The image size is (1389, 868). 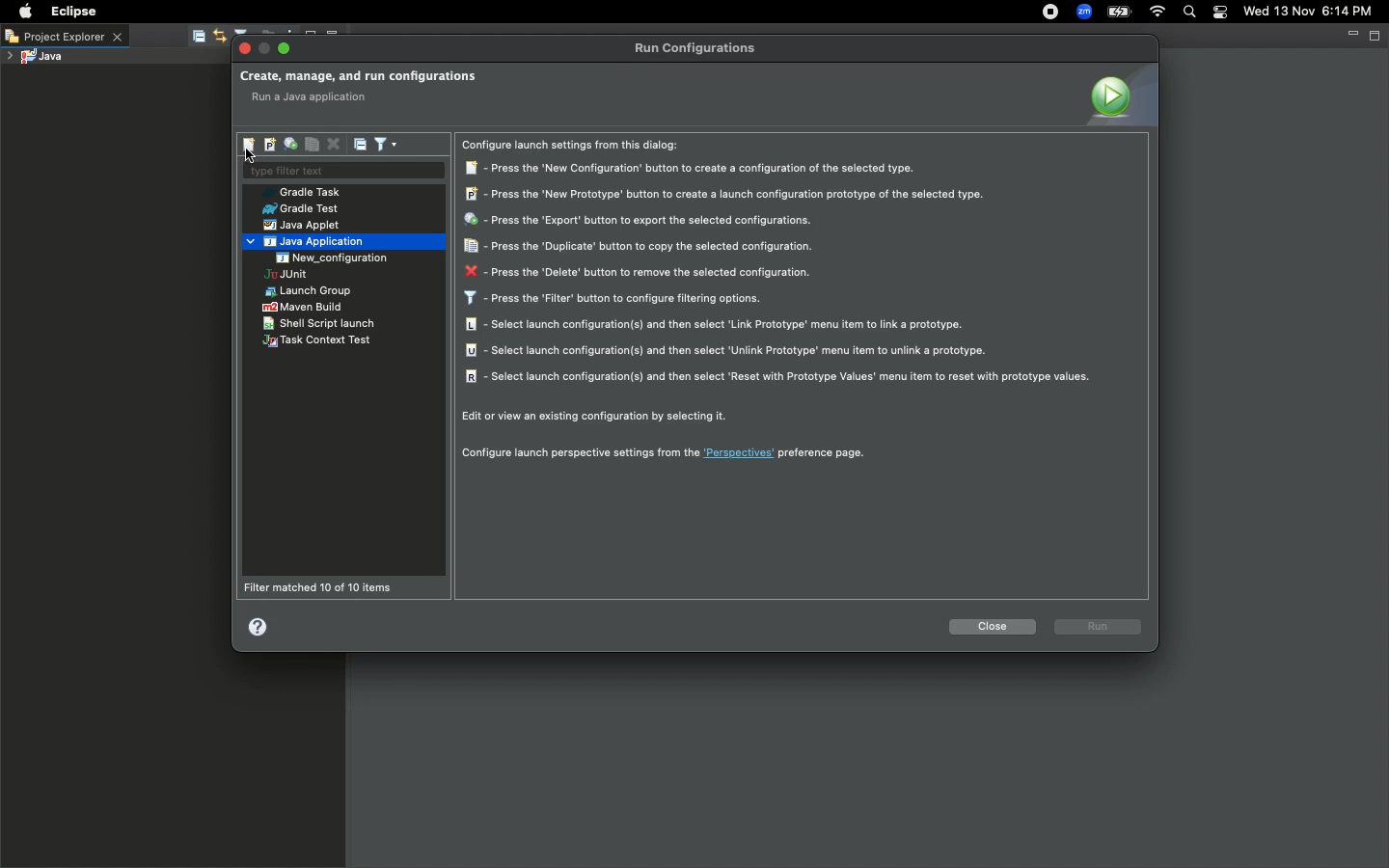 What do you see at coordinates (639, 247) in the screenshot?
I see `Press the 'Duplicate' button to copy the selected configuration.` at bounding box center [639, 247].